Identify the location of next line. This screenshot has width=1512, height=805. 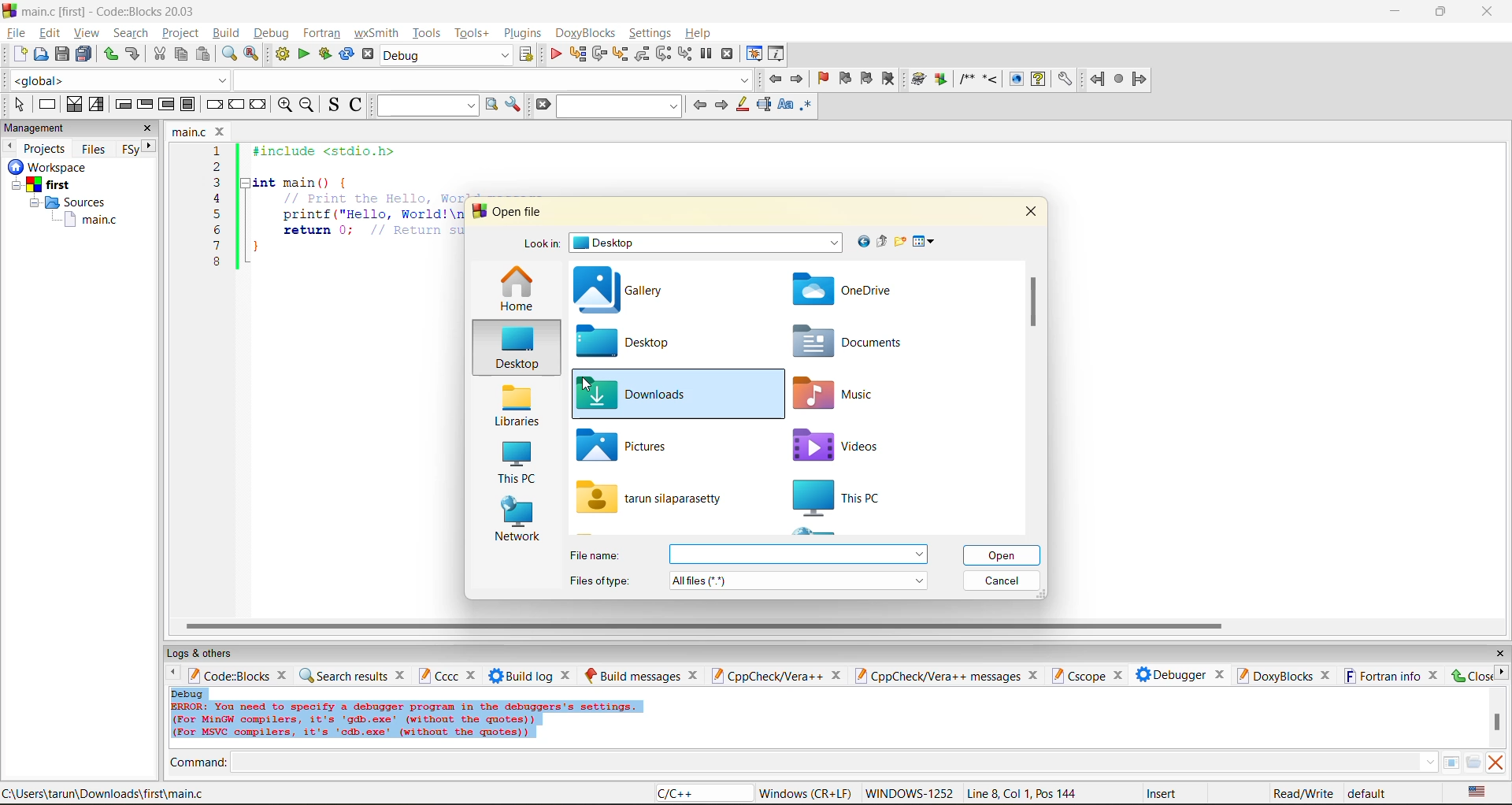
(598, 54).